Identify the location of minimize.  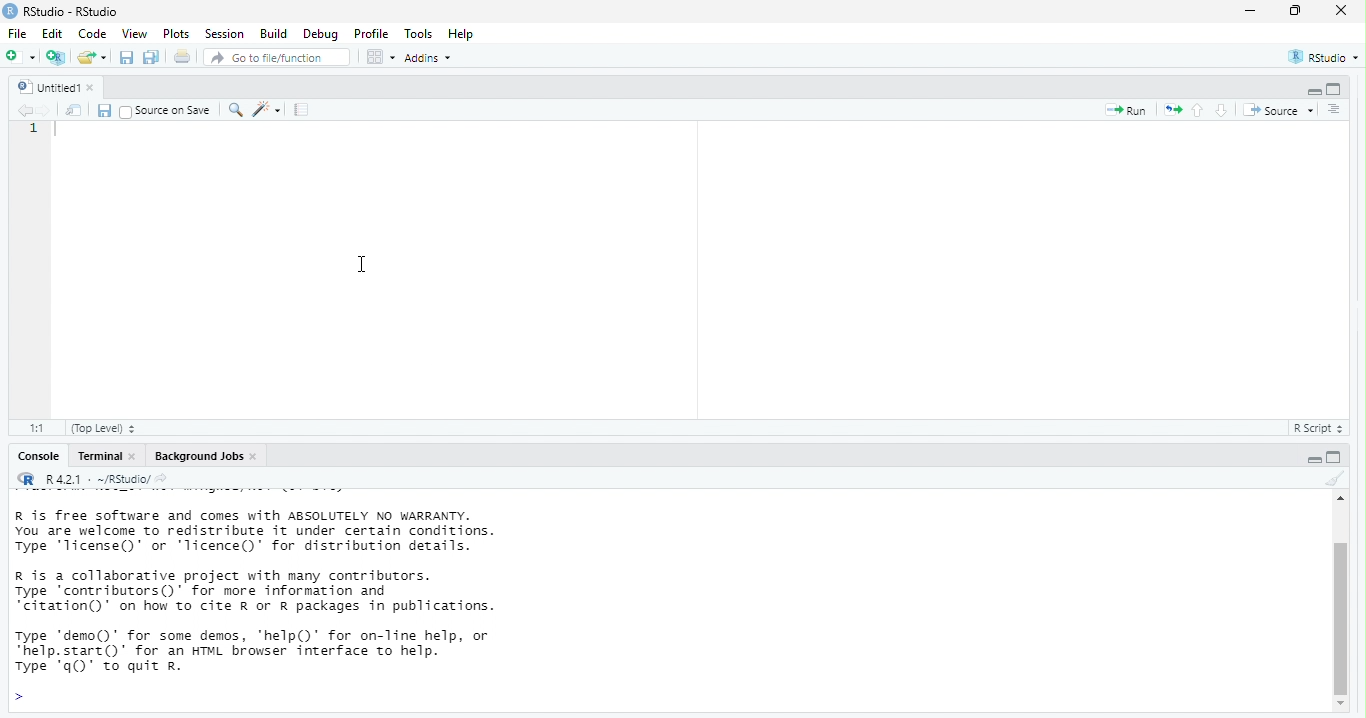
(1310, 457).